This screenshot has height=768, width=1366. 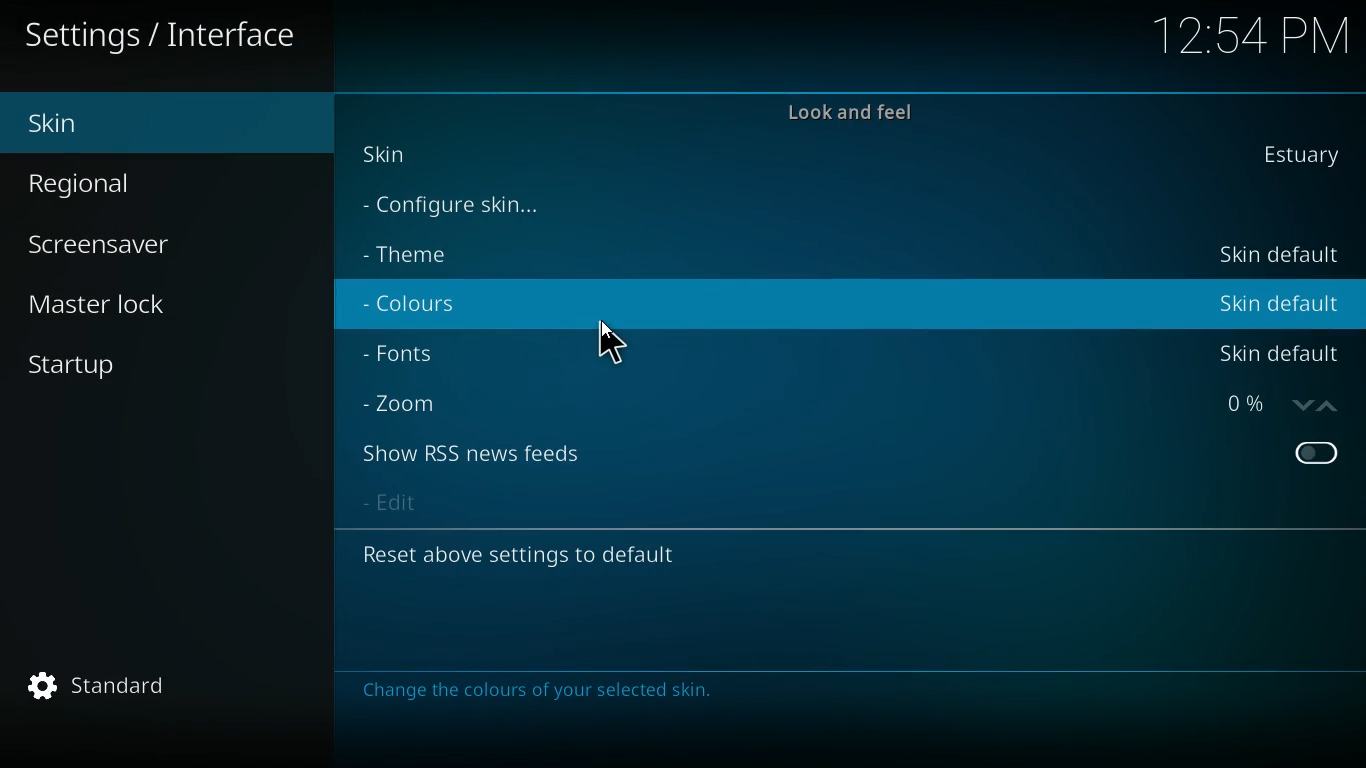 What do you see at coordinates (424, 250) in the screenshot?
I see `theme` at bounding box center [424, 250].